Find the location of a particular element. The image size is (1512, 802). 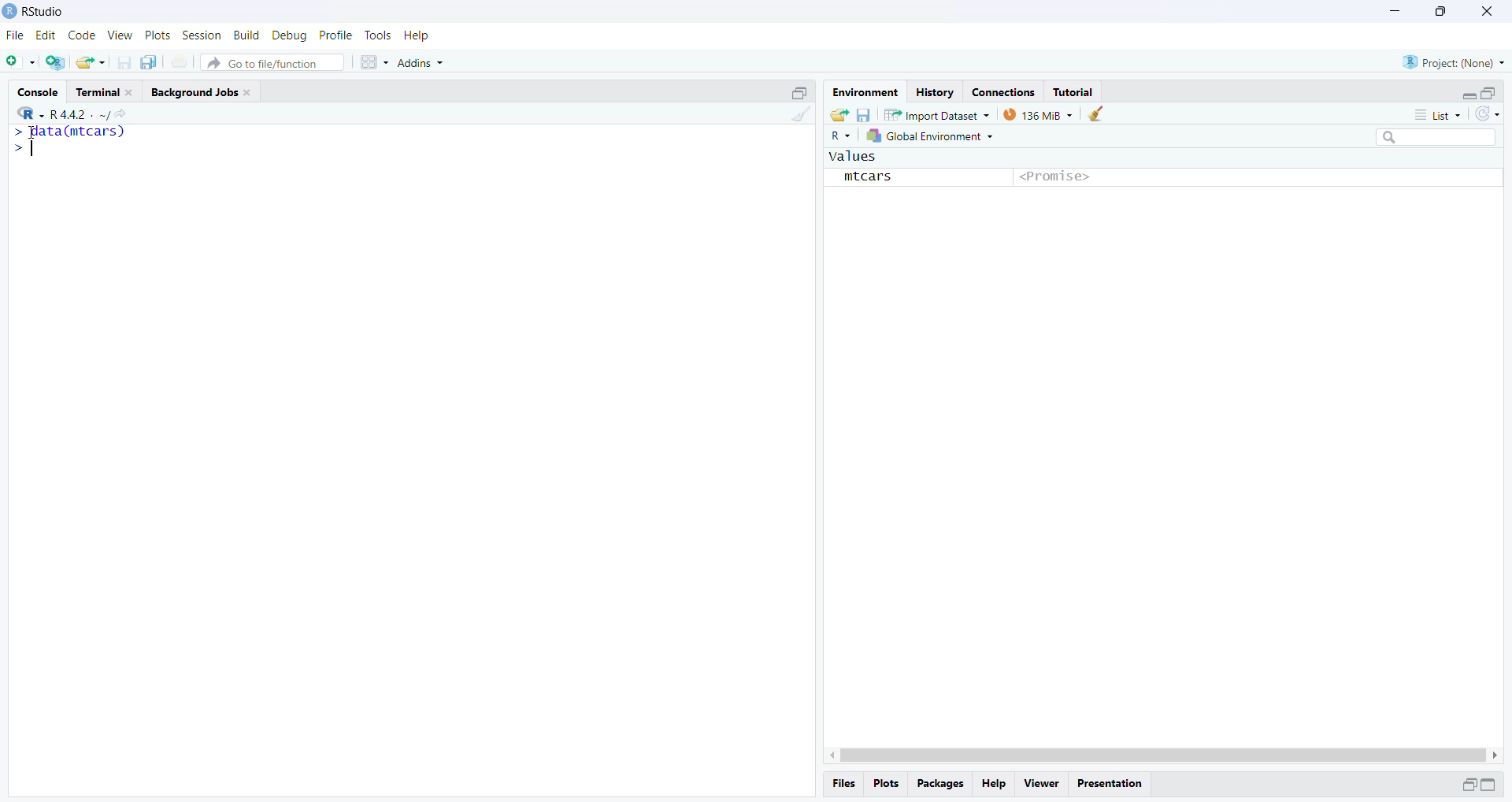

Help is located at coordinates (996, 784).